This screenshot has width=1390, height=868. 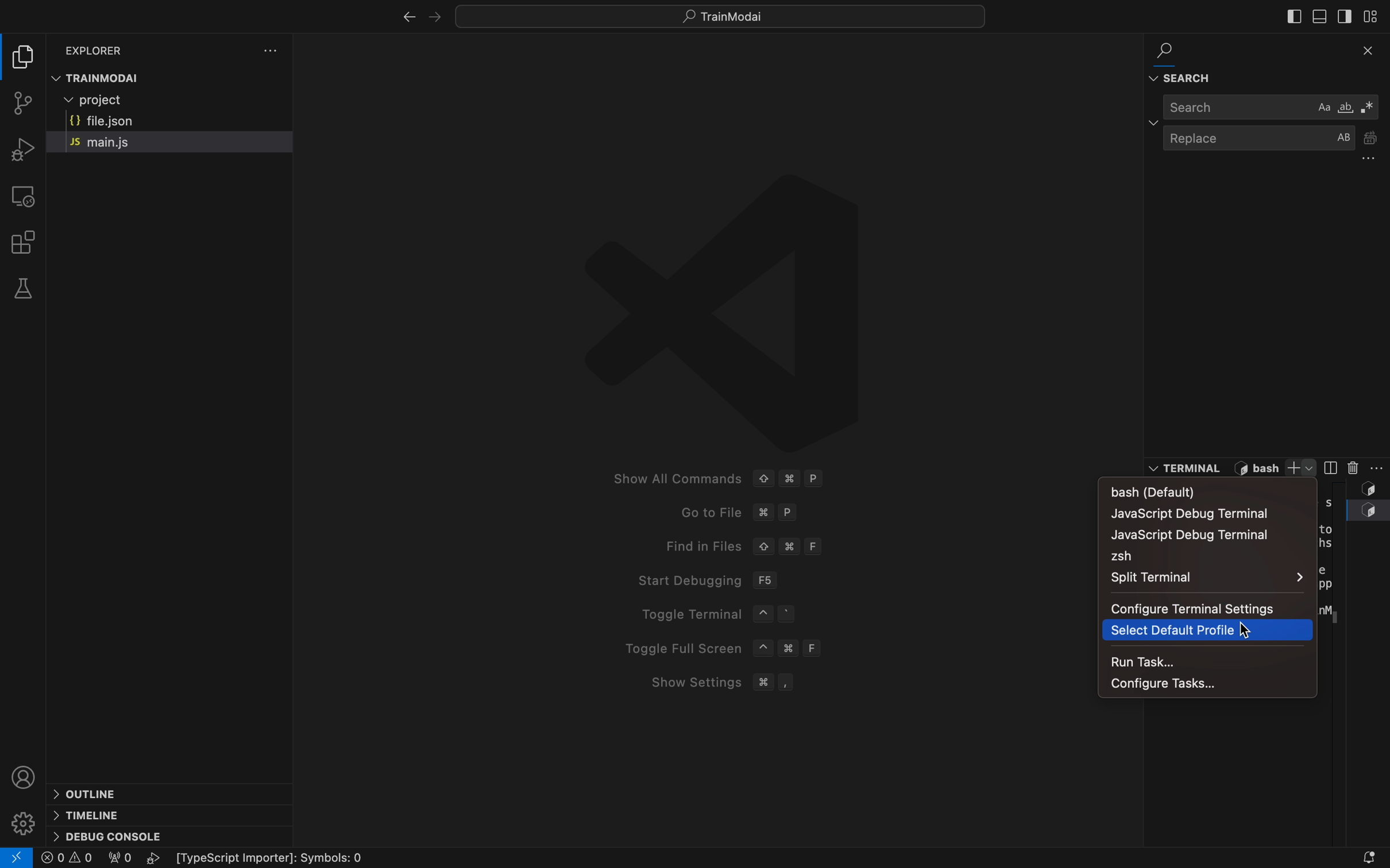 I want to click on sidebar on right, so click(x=1344, y=17).